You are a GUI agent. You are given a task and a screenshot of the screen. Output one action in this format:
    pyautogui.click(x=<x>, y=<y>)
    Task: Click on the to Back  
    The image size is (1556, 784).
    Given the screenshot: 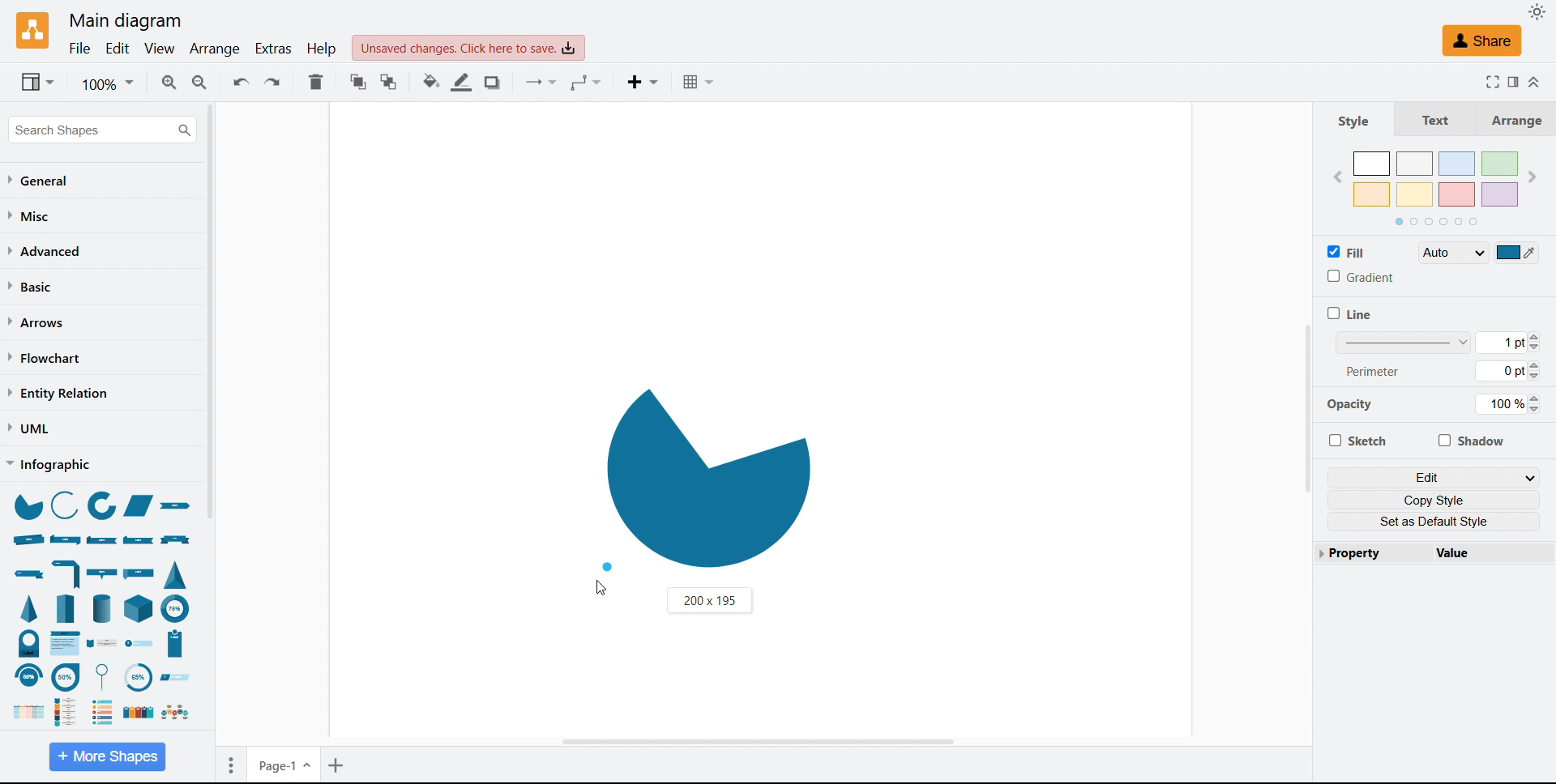 What is the action you would take?
    pyautogui.click(x=389, y=82)
    